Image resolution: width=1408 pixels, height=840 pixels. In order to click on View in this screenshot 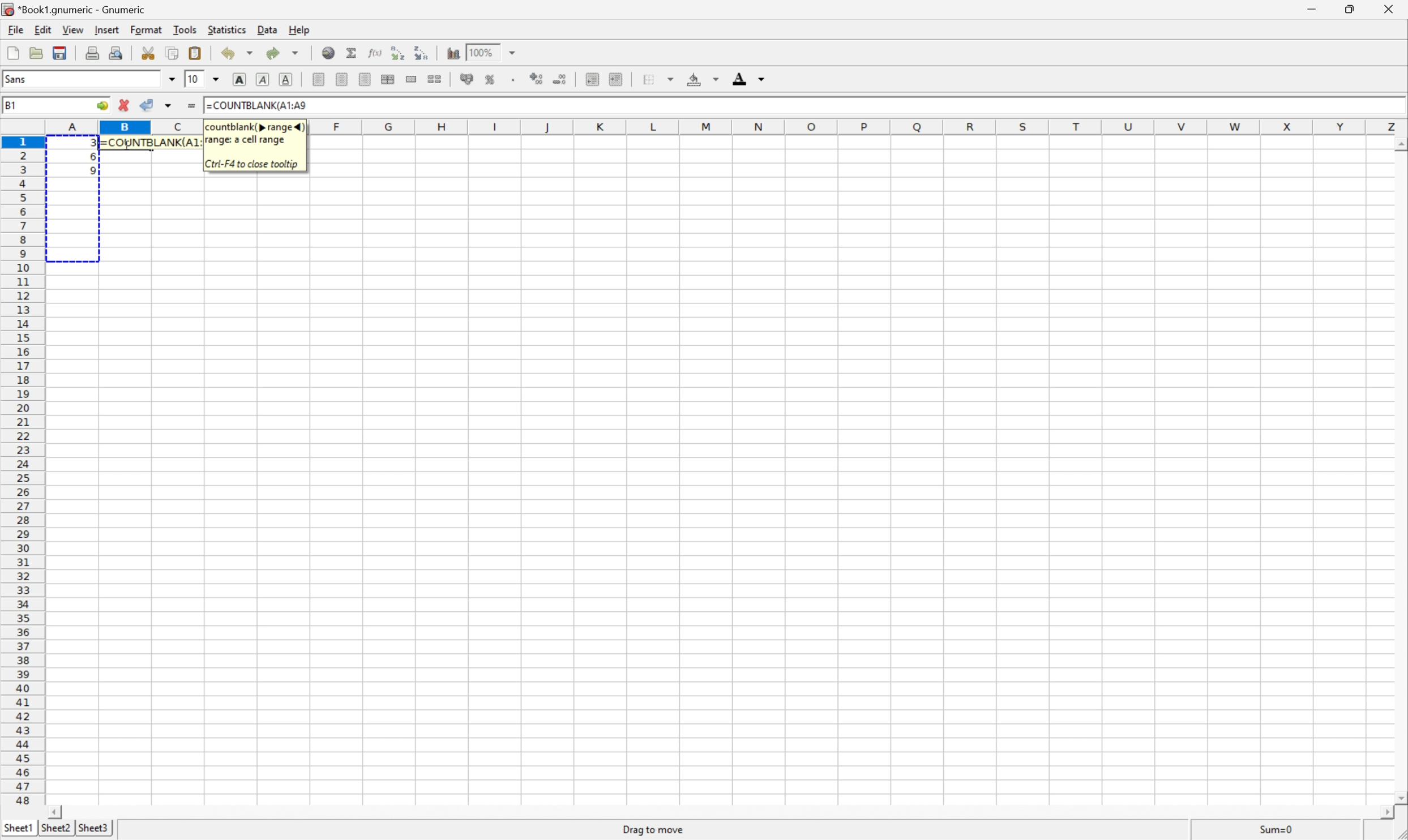, I will do `click(71, 29)`.